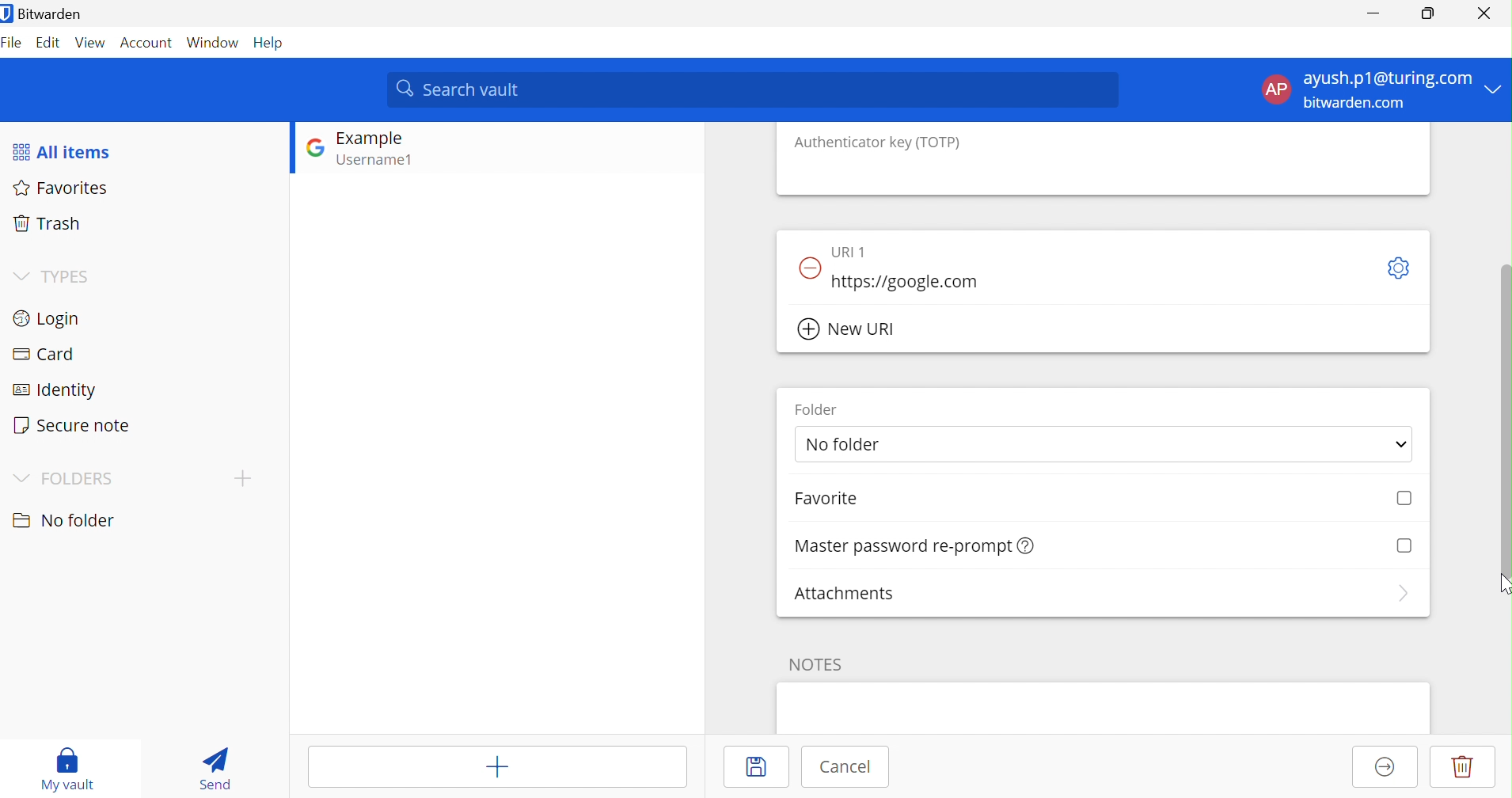 Image resolution: width=1512 pixels, height=798 pixels. What do you see at coordinates (911, 282) in the screenshot?
I see `https://google.com` at bounding box center [911, 282].